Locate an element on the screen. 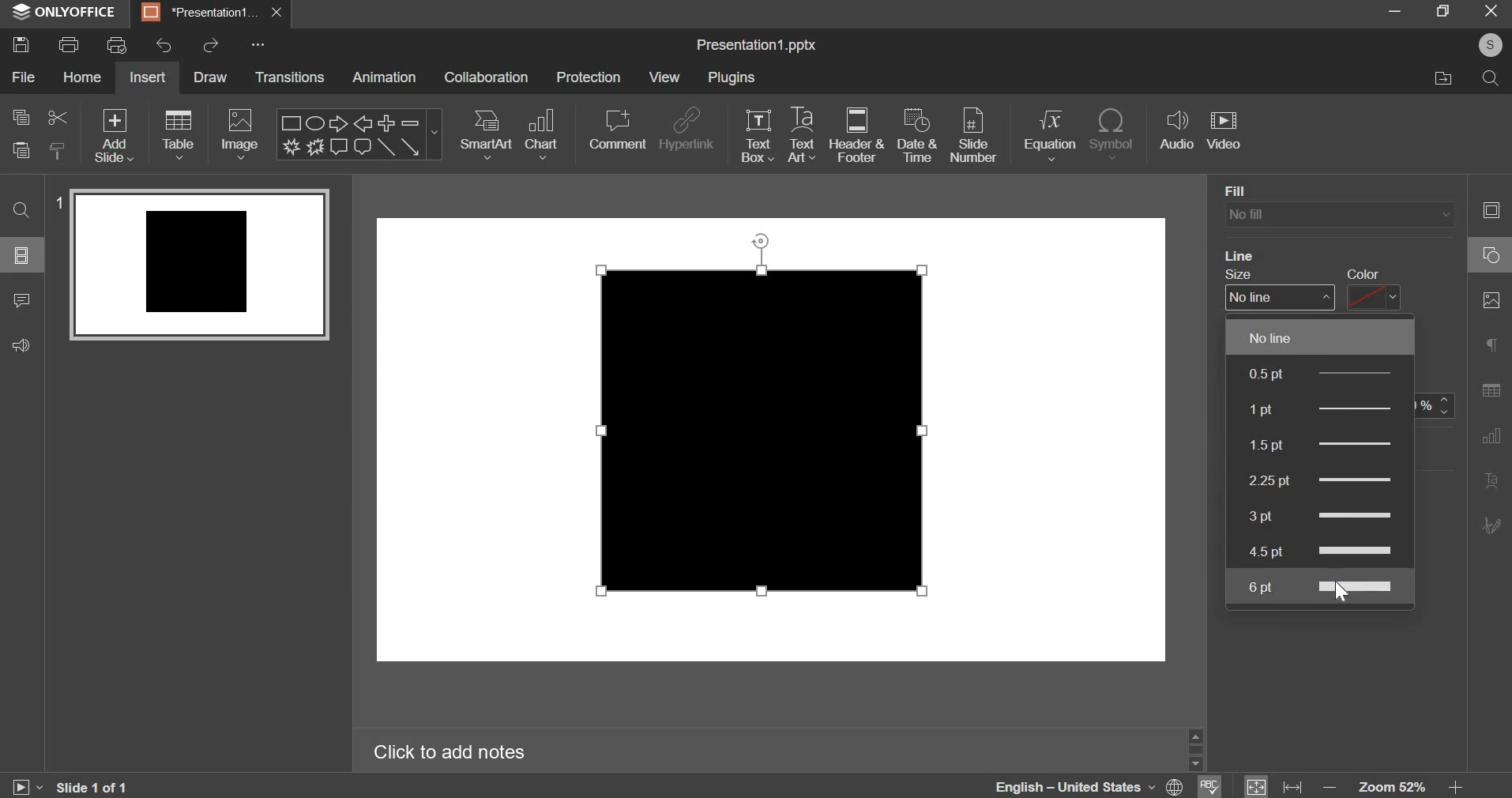  redo is located at coordinates (212, 46).